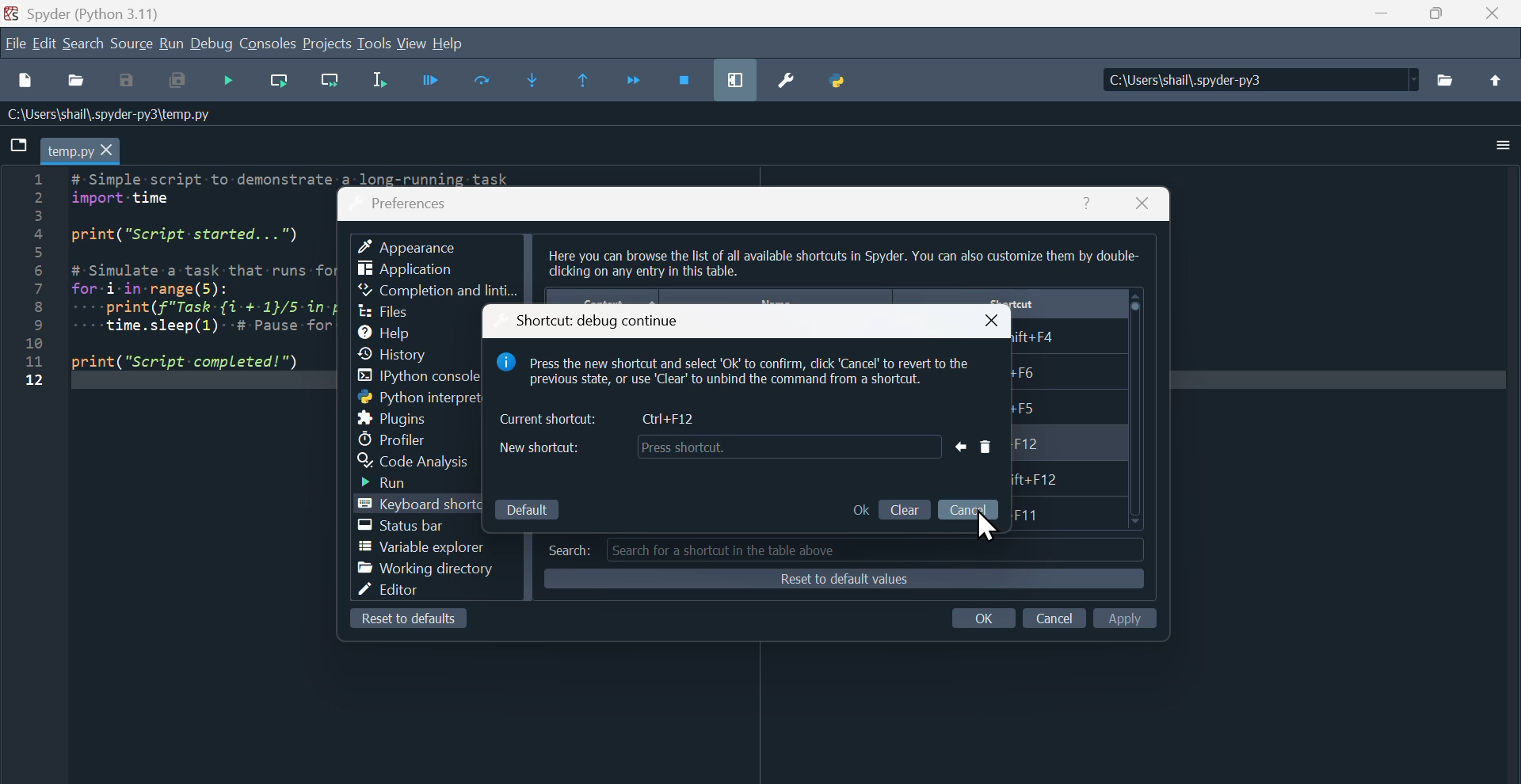 The width and height of the screenshot is (1521, 784). I want to click on Reset to defaults, so click(843, 581).